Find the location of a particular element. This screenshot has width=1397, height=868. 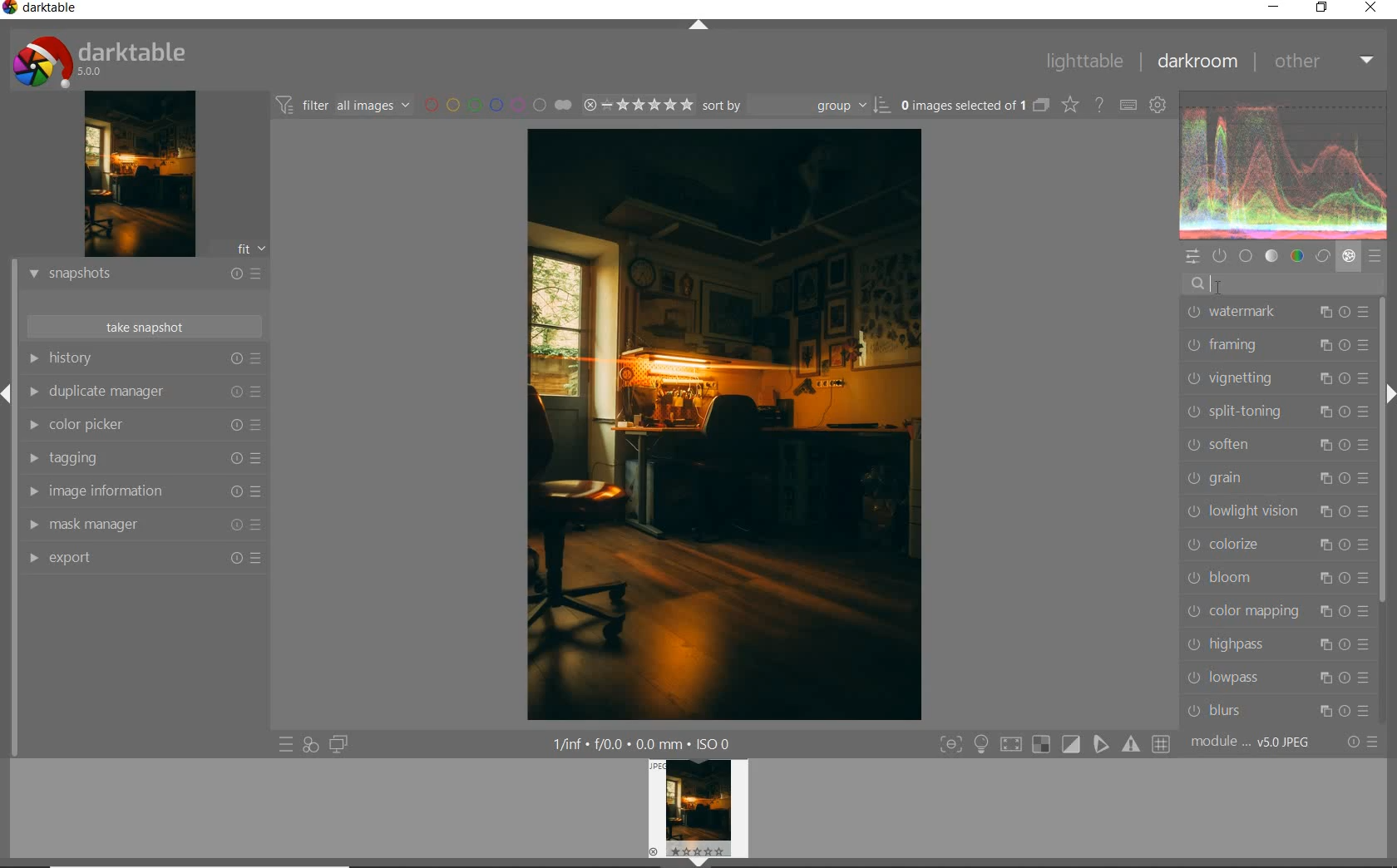

presets is located at coordinates (1378, 256).